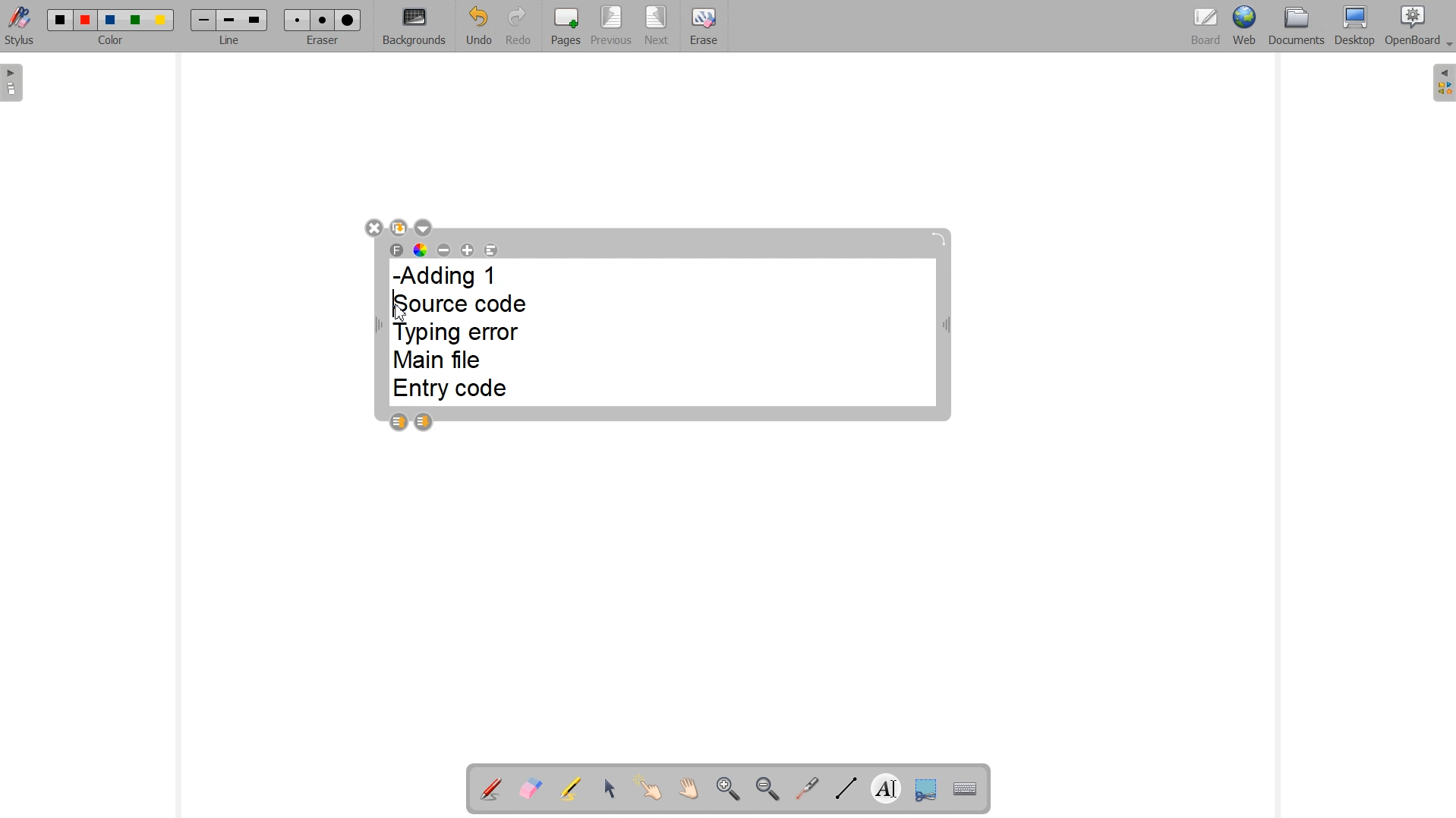 This screenshot has width=1456, height=818. What do you see at coordinates (611, 27) in the screenshot?
I see `Previous` at bounding box center [611, 27].